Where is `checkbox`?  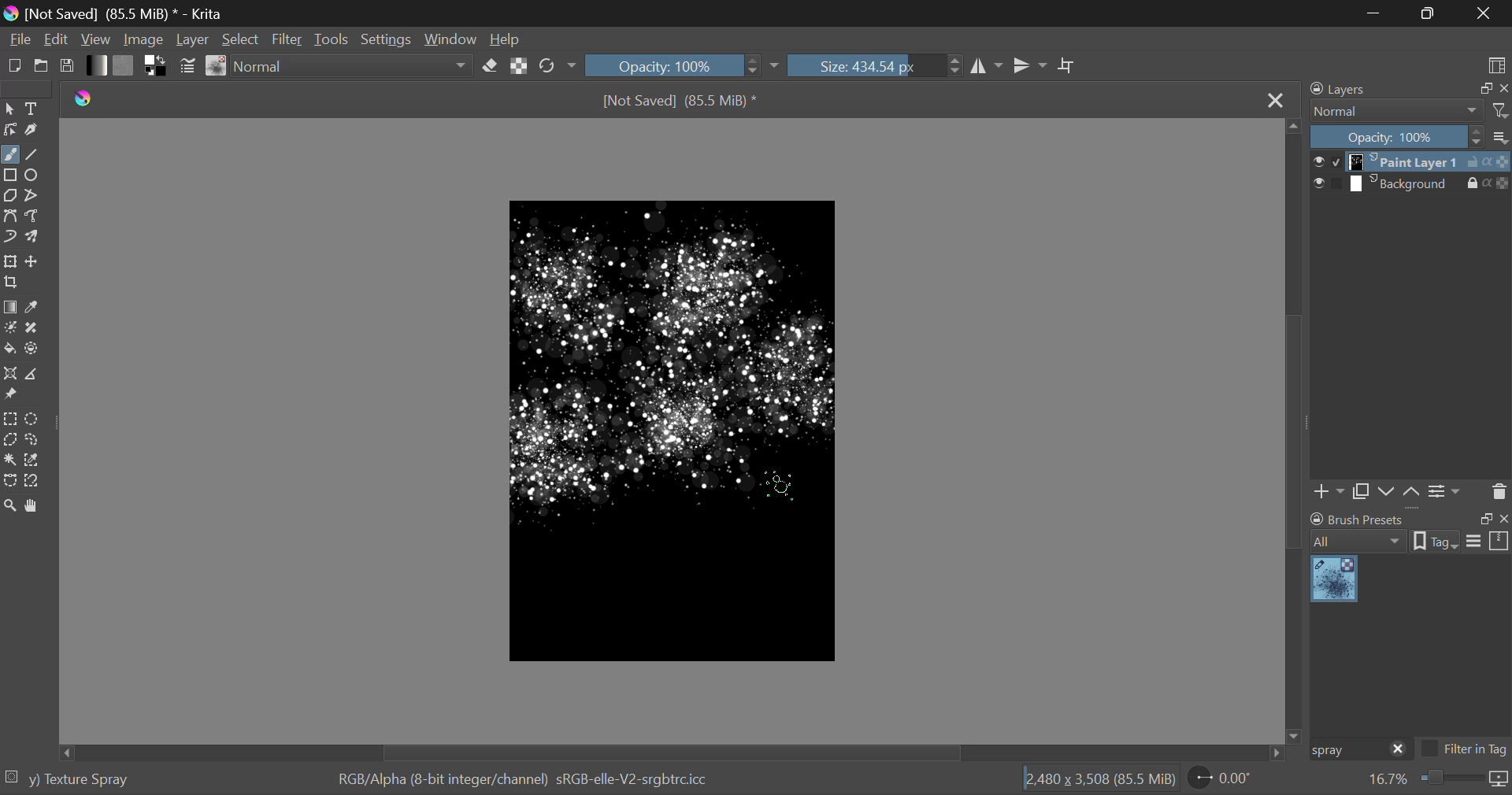 checkbox is located at coordinates (1326, 161).